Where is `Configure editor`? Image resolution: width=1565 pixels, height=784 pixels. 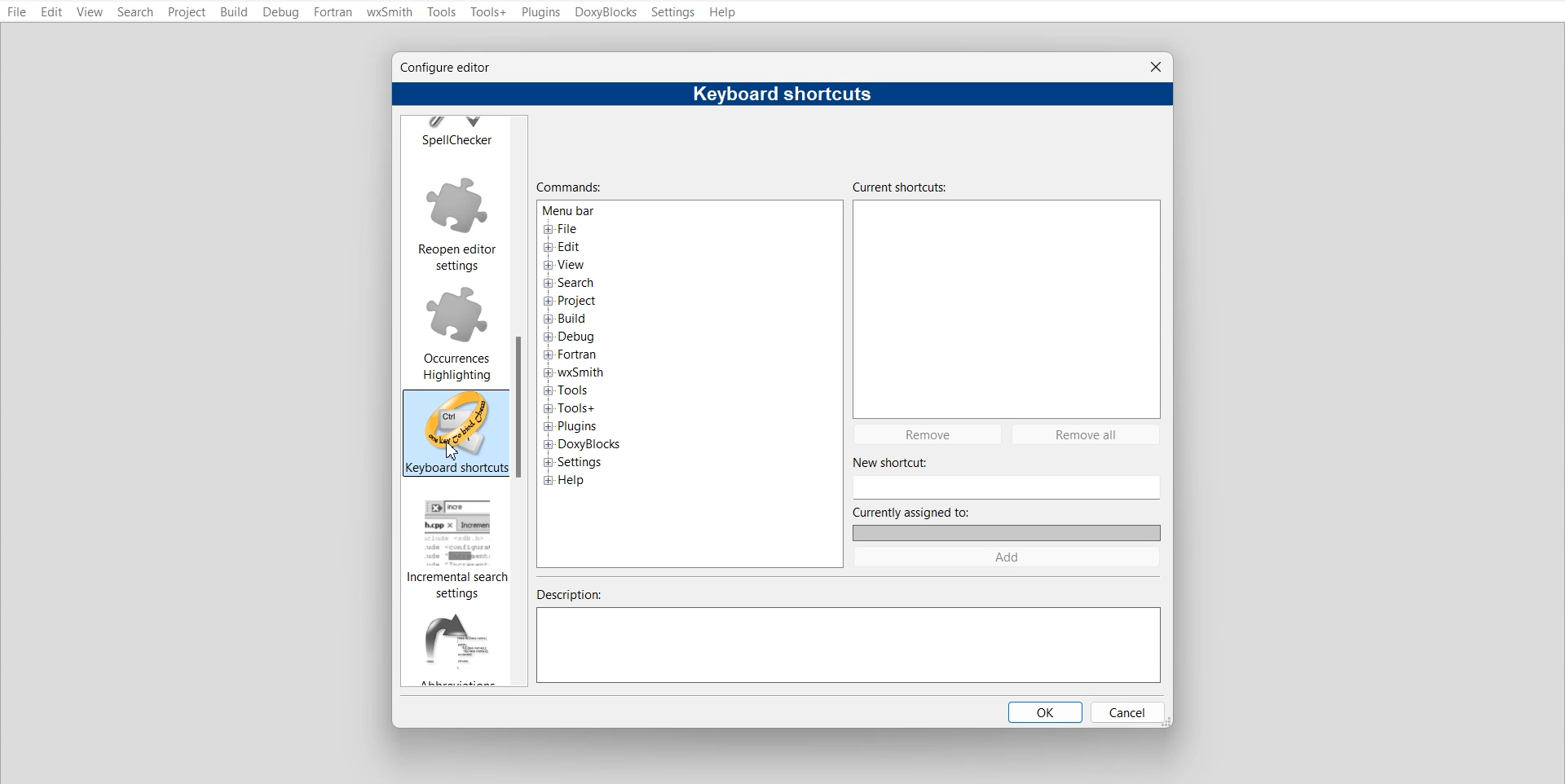 Configure editor is located at coordinates (452, 68).